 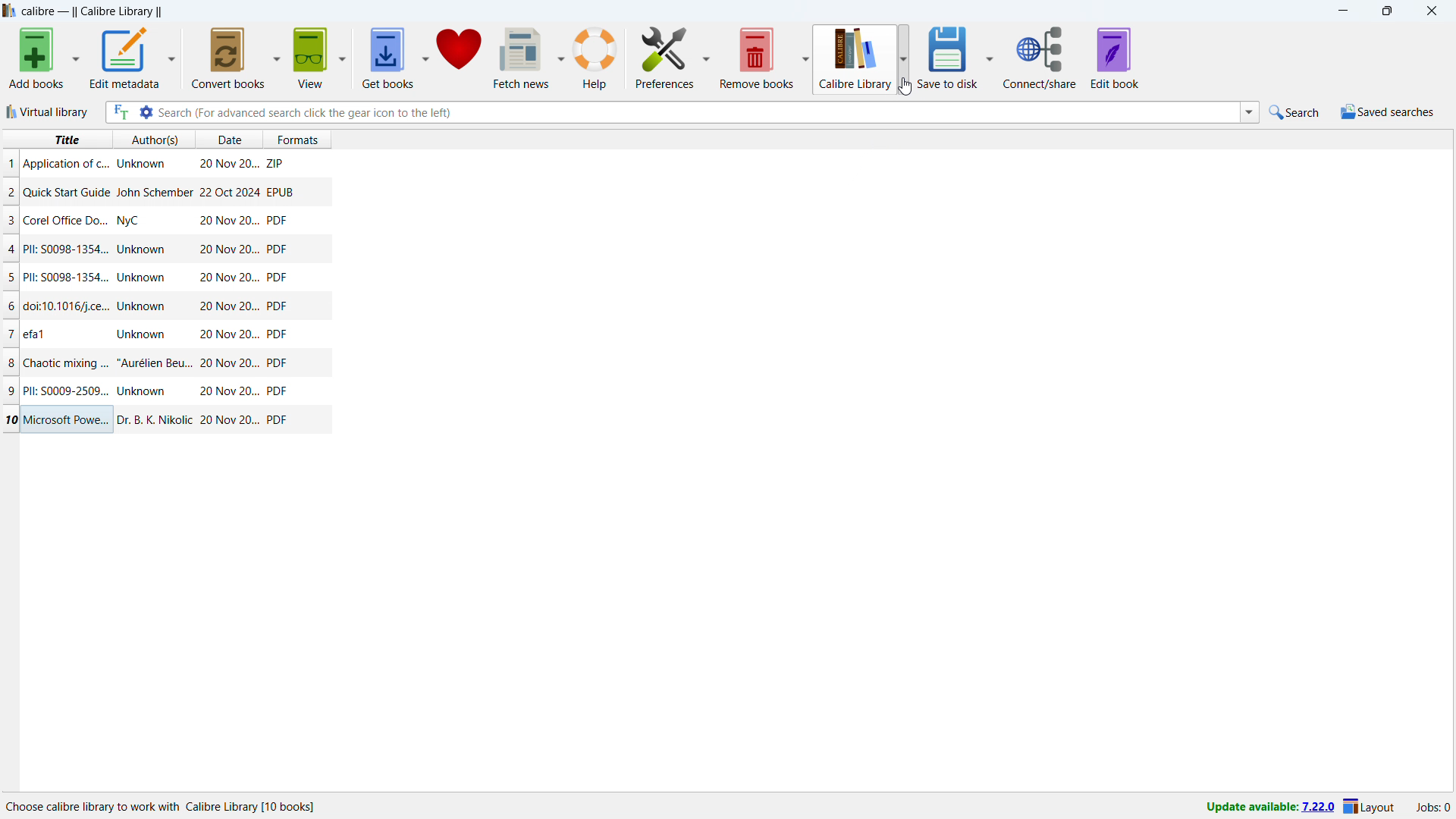 What do you see at coordinates (276, 161) in the screenshot?
I see `ZIP` at bounding box center [276, 161].